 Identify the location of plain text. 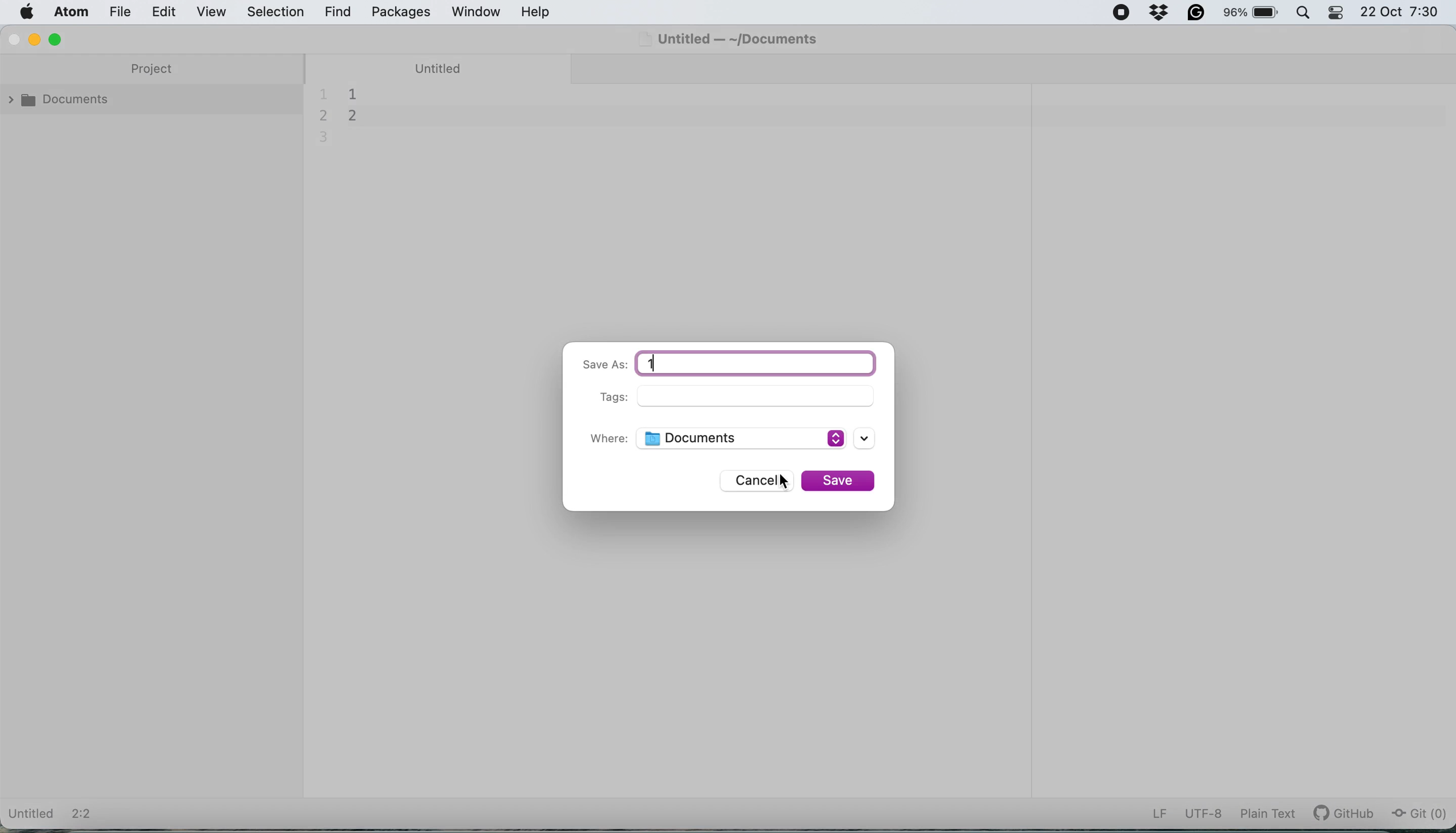
(1266, 816).